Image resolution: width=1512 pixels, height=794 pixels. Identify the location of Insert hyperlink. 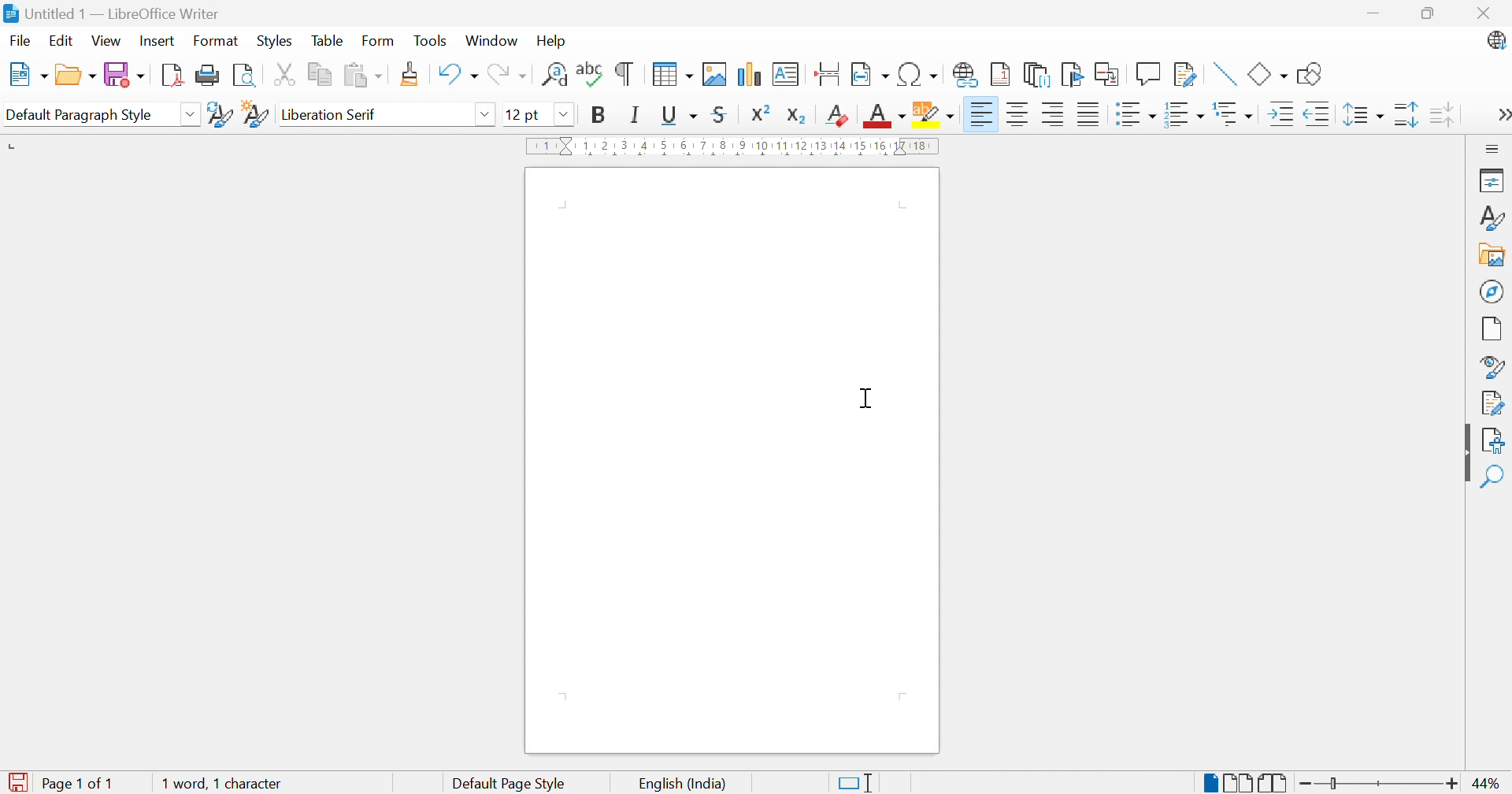
(966, 76).